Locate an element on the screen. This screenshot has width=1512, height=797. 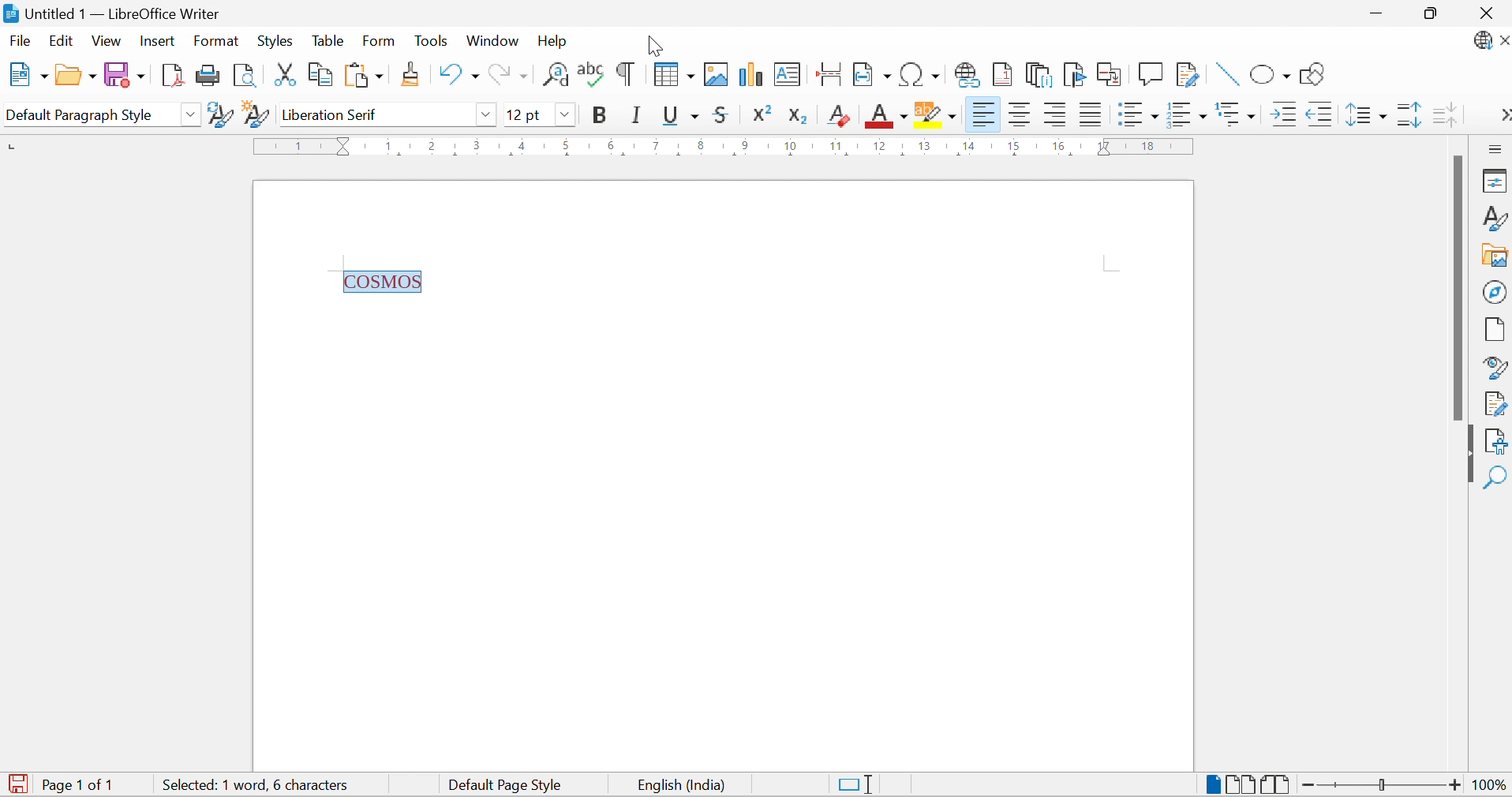
Find is located at coordinates (1497, 475).